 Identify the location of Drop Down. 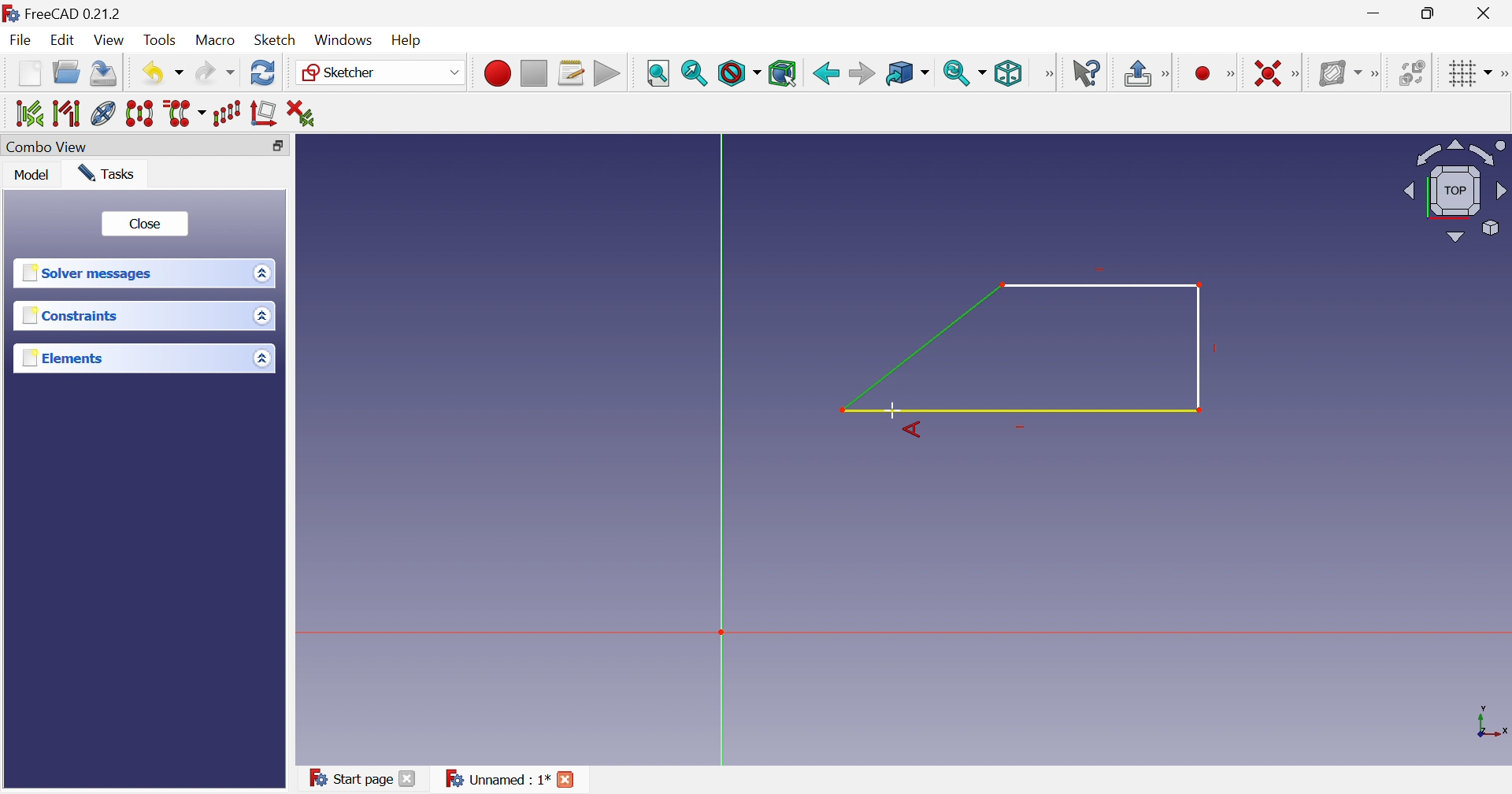
(452, 72).